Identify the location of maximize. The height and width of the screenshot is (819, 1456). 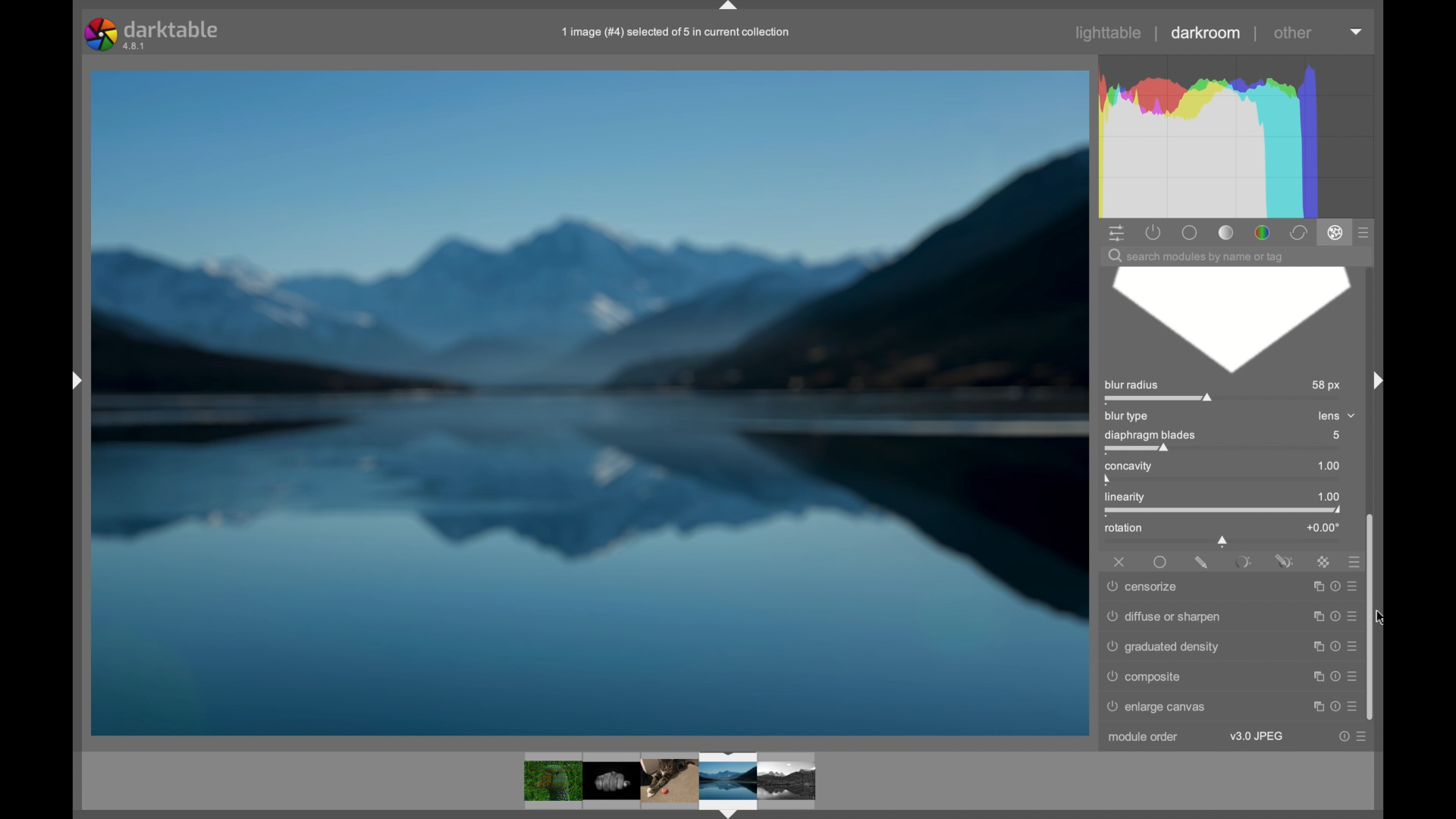
(1314, 704).